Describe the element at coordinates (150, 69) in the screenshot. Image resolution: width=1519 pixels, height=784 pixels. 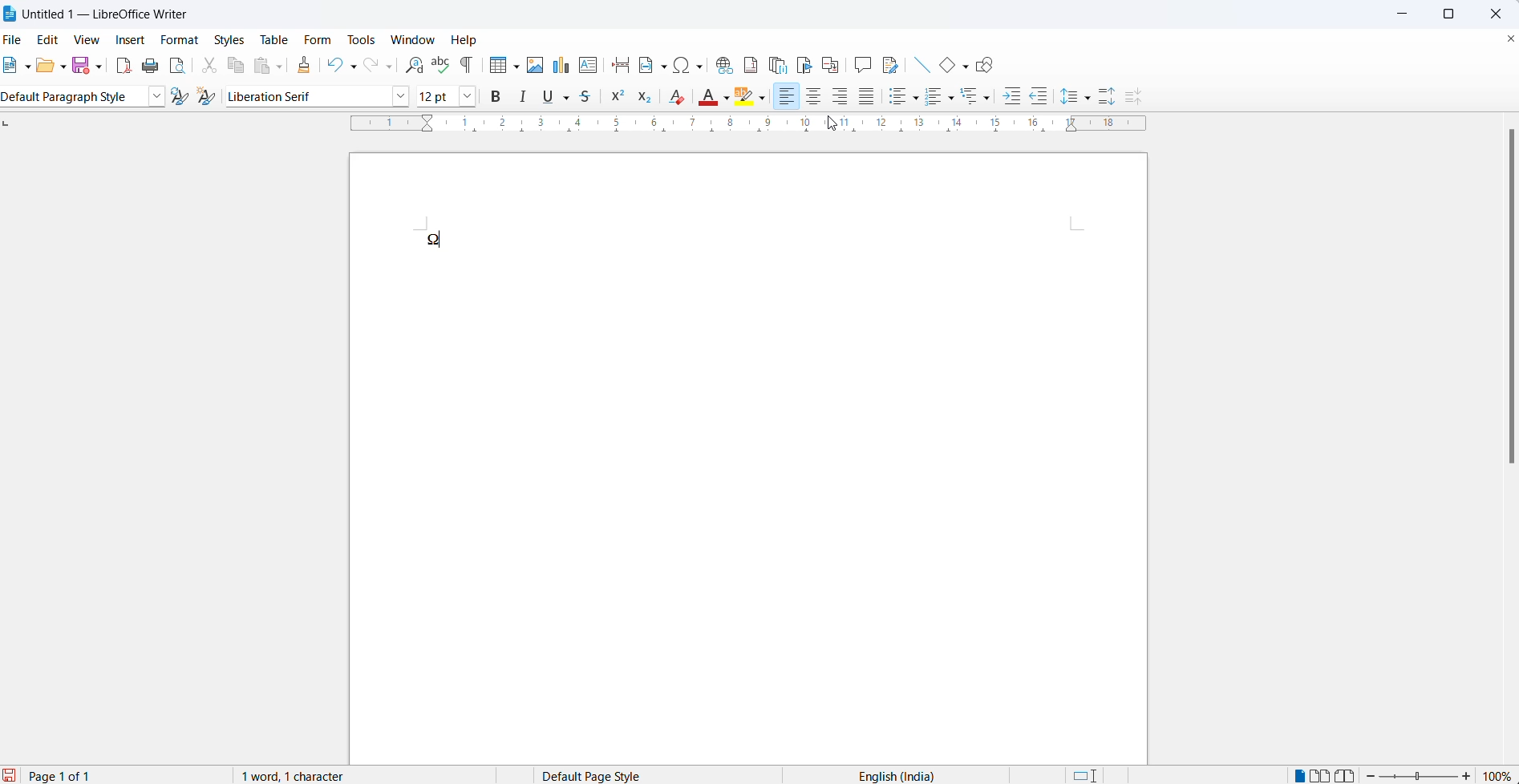
I see `print` at that location.